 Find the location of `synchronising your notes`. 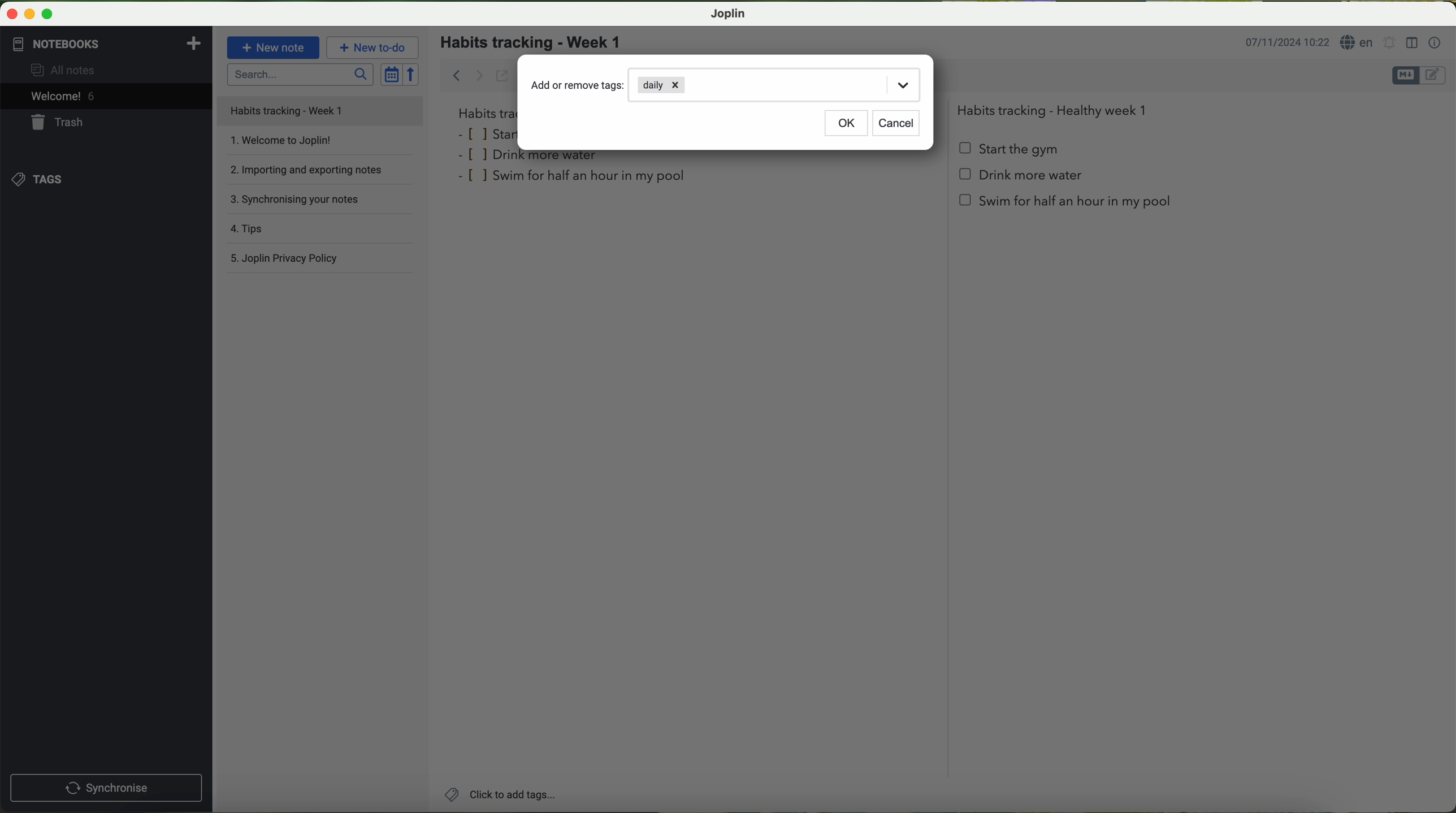

synchronising your notes is located at coordinates (324, 203).